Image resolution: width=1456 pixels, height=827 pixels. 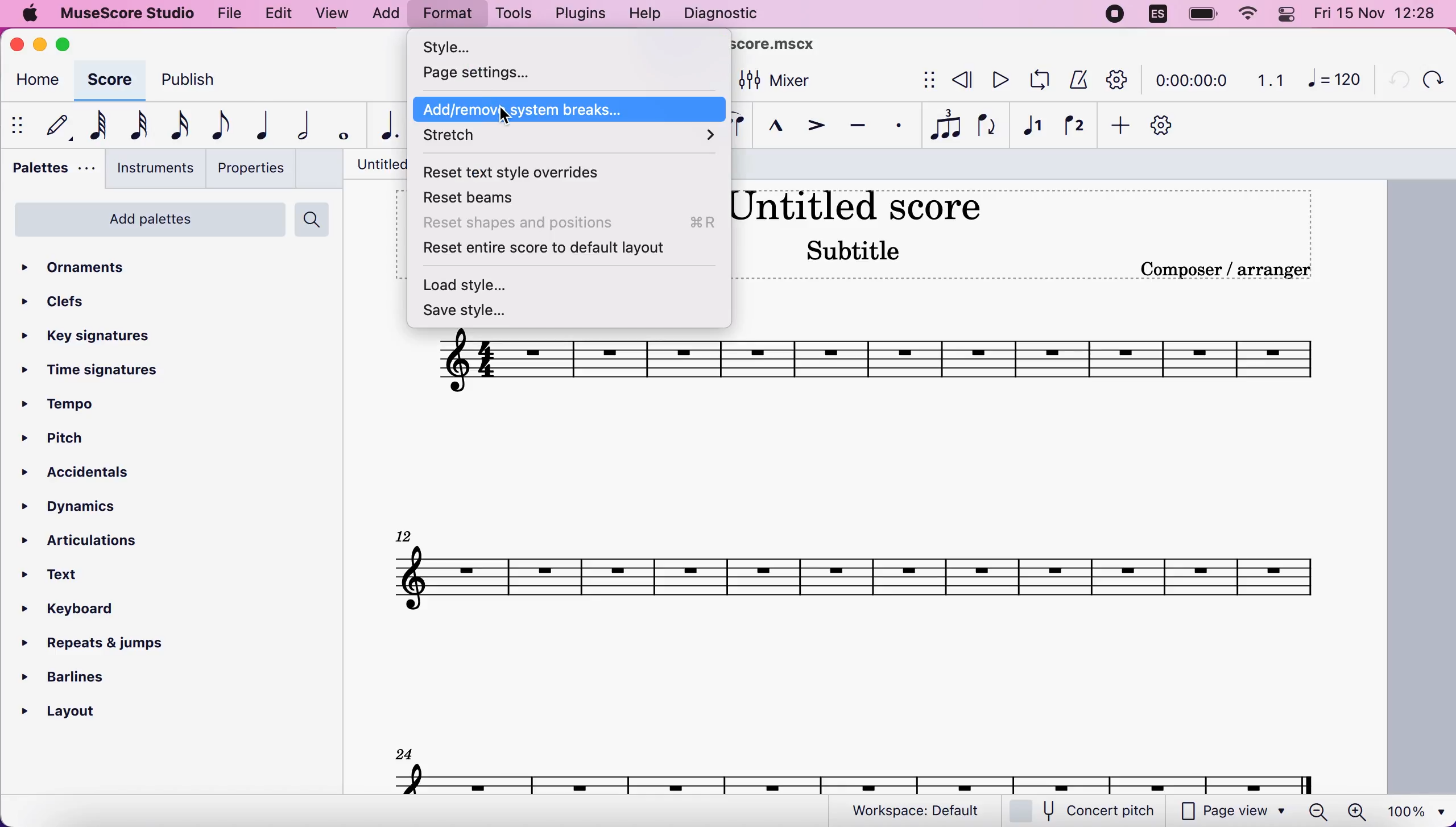 I want to click on format, so click(x=447, y=15).